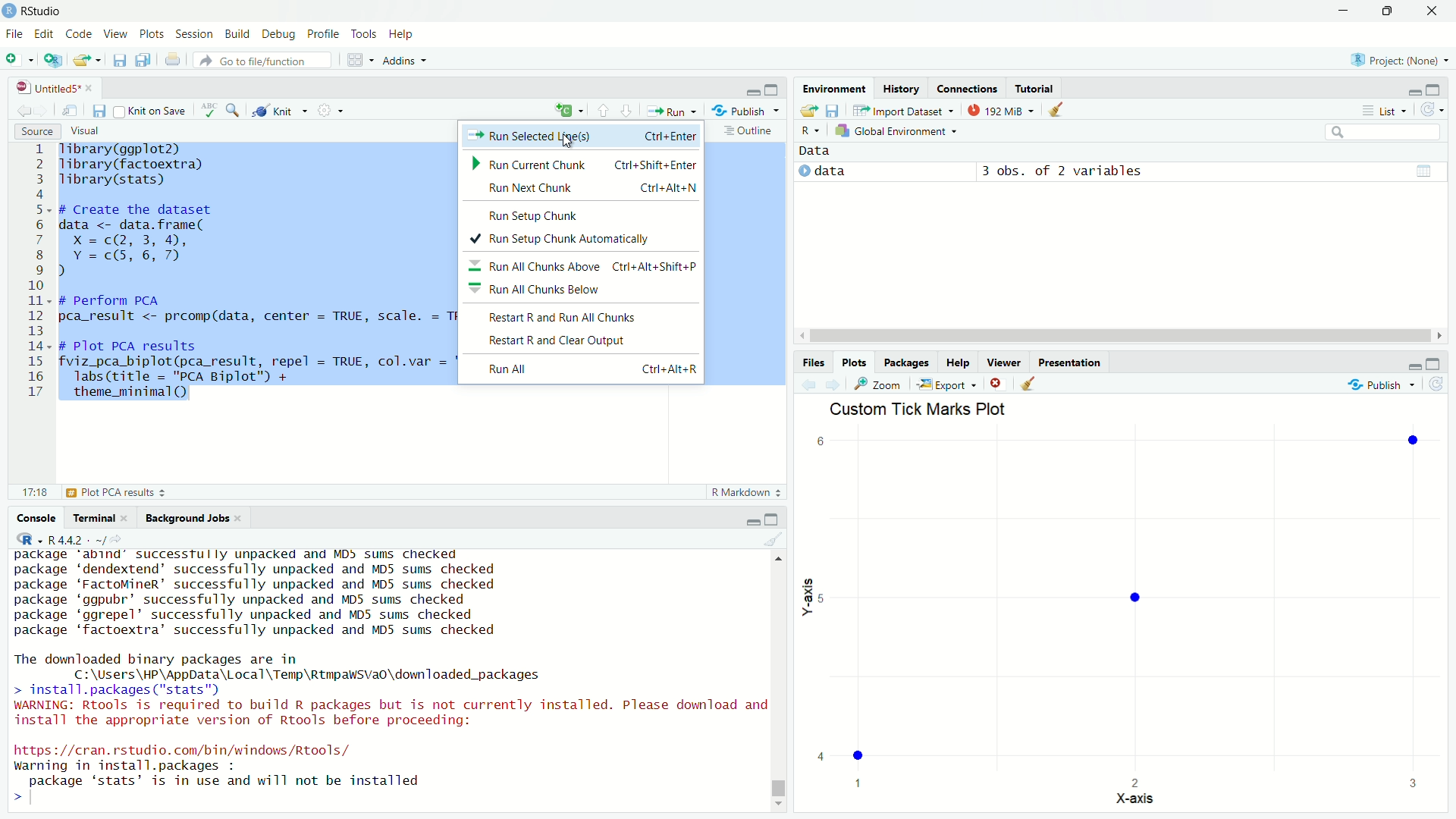  What do you see at coordinates (811, 130) in the screenshot?
I see `R language` at bounding box center [811, 130].